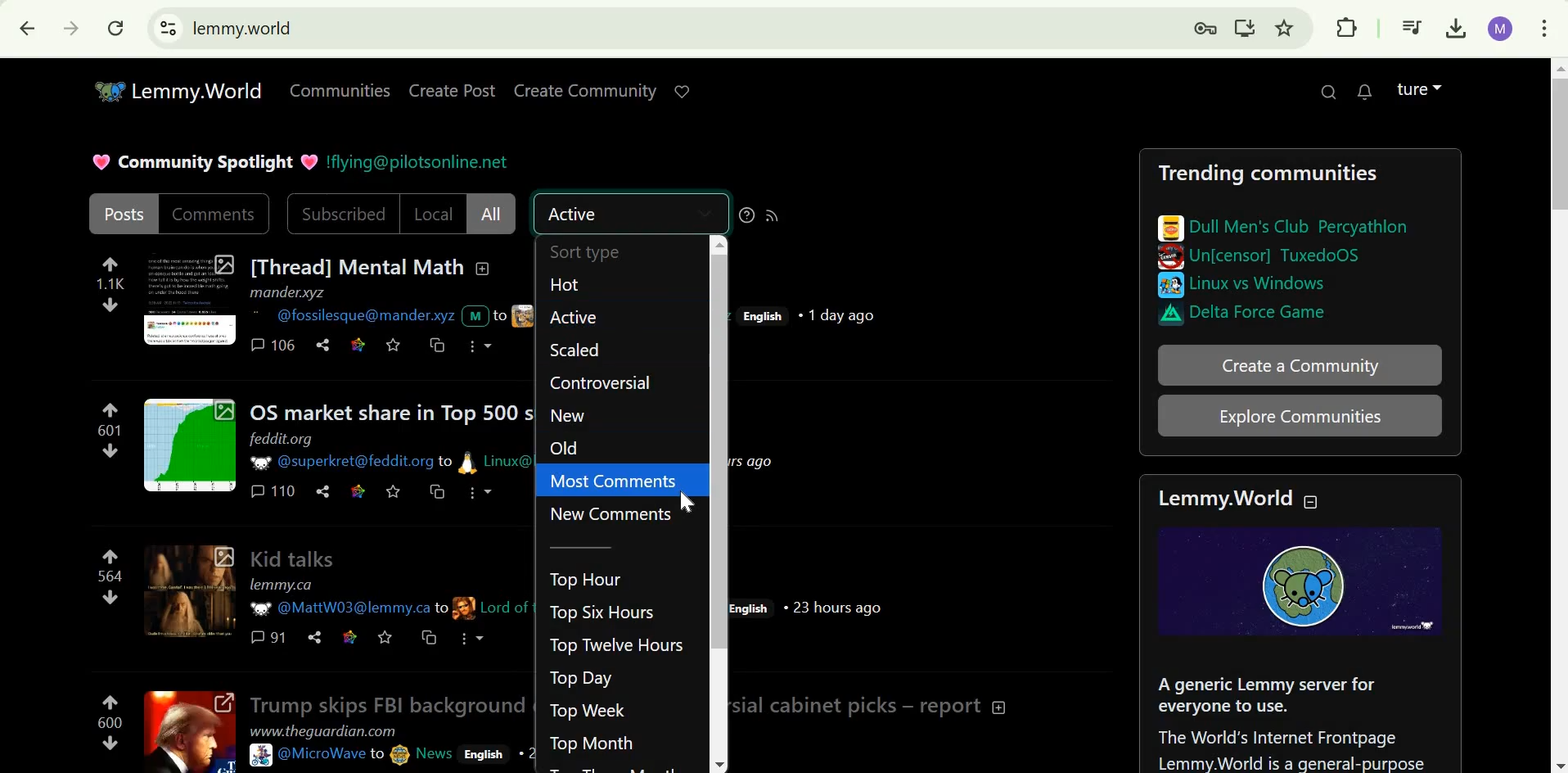 This screenshot has width=1568, height=773. I want to click on communities, so click(342, 91).